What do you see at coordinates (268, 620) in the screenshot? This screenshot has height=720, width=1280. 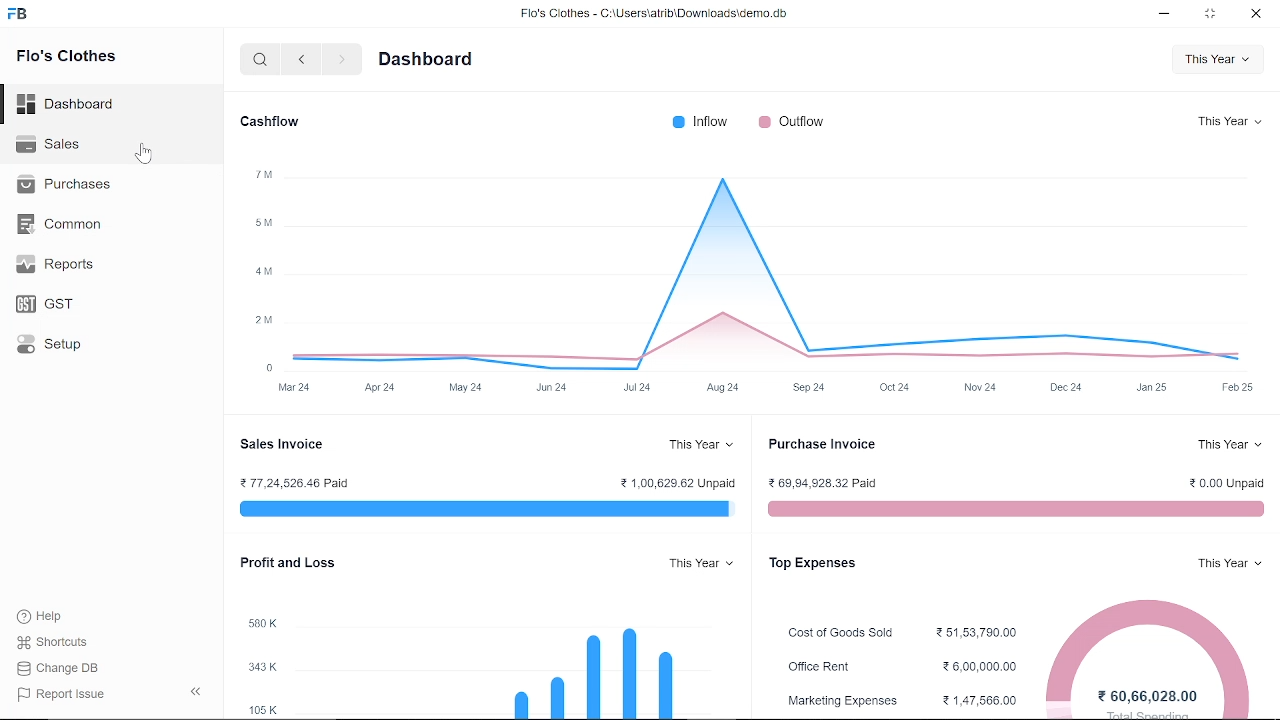 I see `580K` at bounding box center [268, 620].